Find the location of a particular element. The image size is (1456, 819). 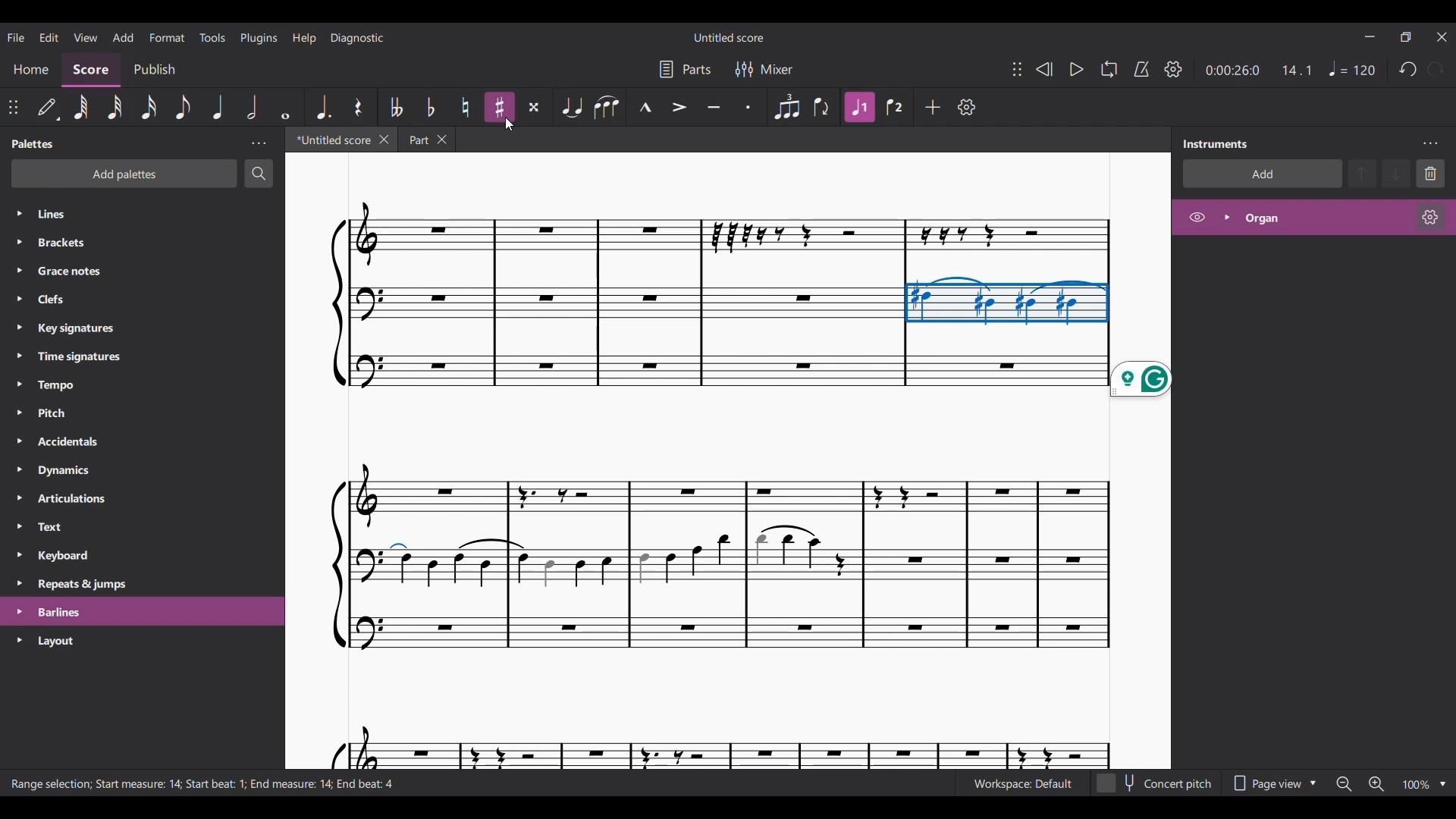

Metronome is located at coordinates (1141, 69).